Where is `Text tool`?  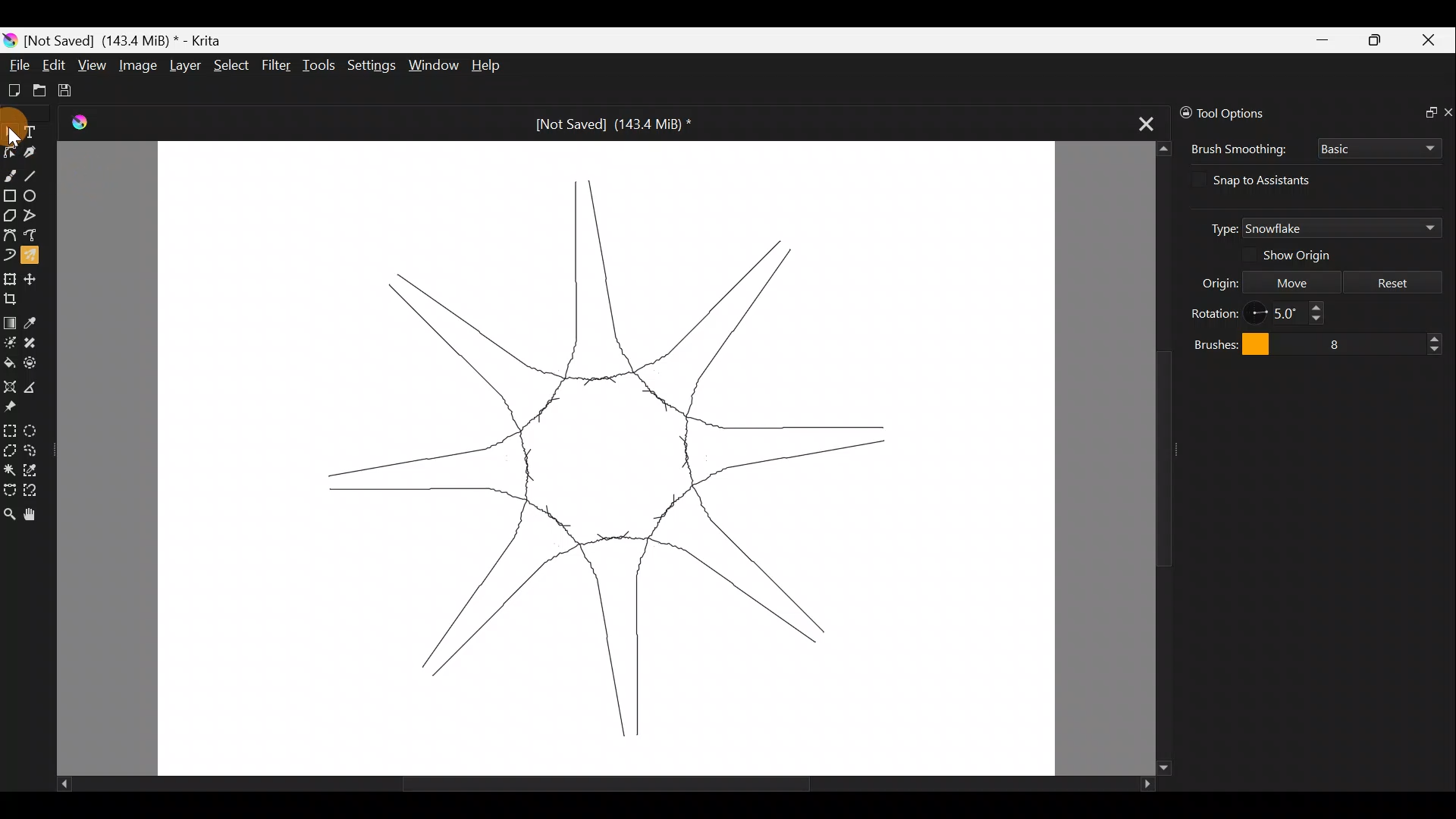 Text tool is located at coordinates (36, 126).